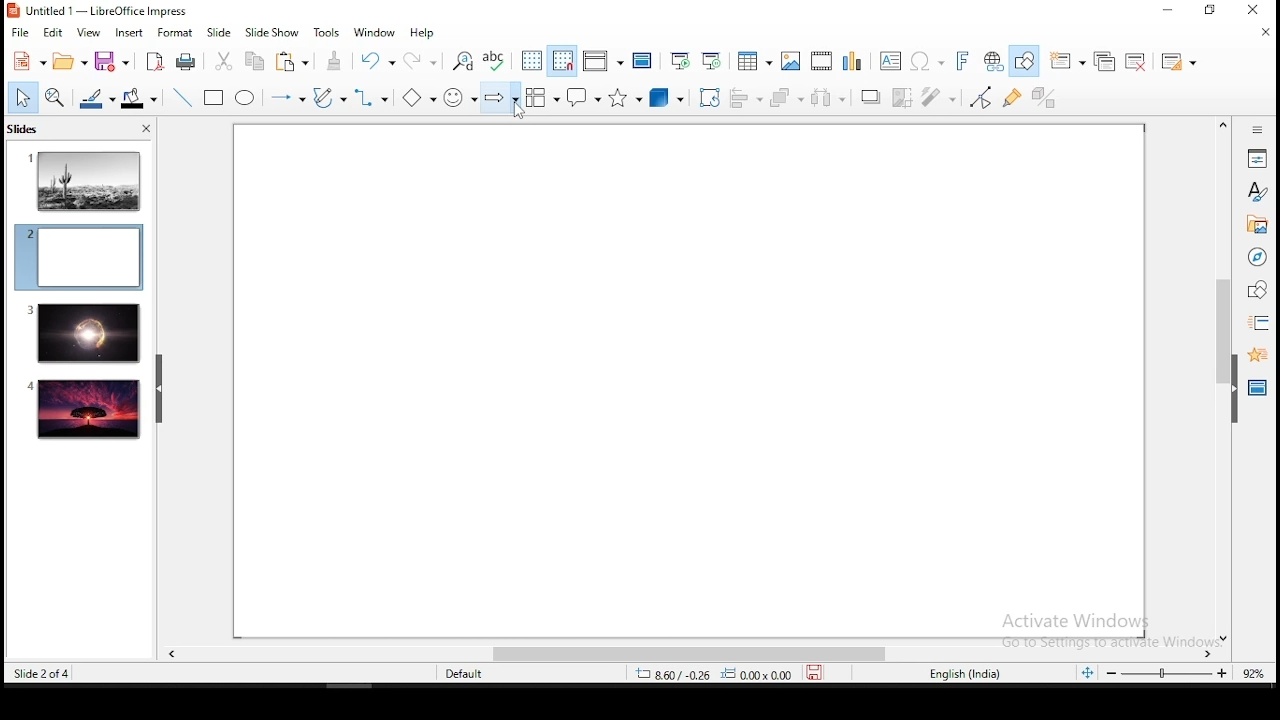 The width and height of the screenshot is (1280, 720). Describe the element at coordinates (1101, 626) in the screenshot. I see `` at that location.